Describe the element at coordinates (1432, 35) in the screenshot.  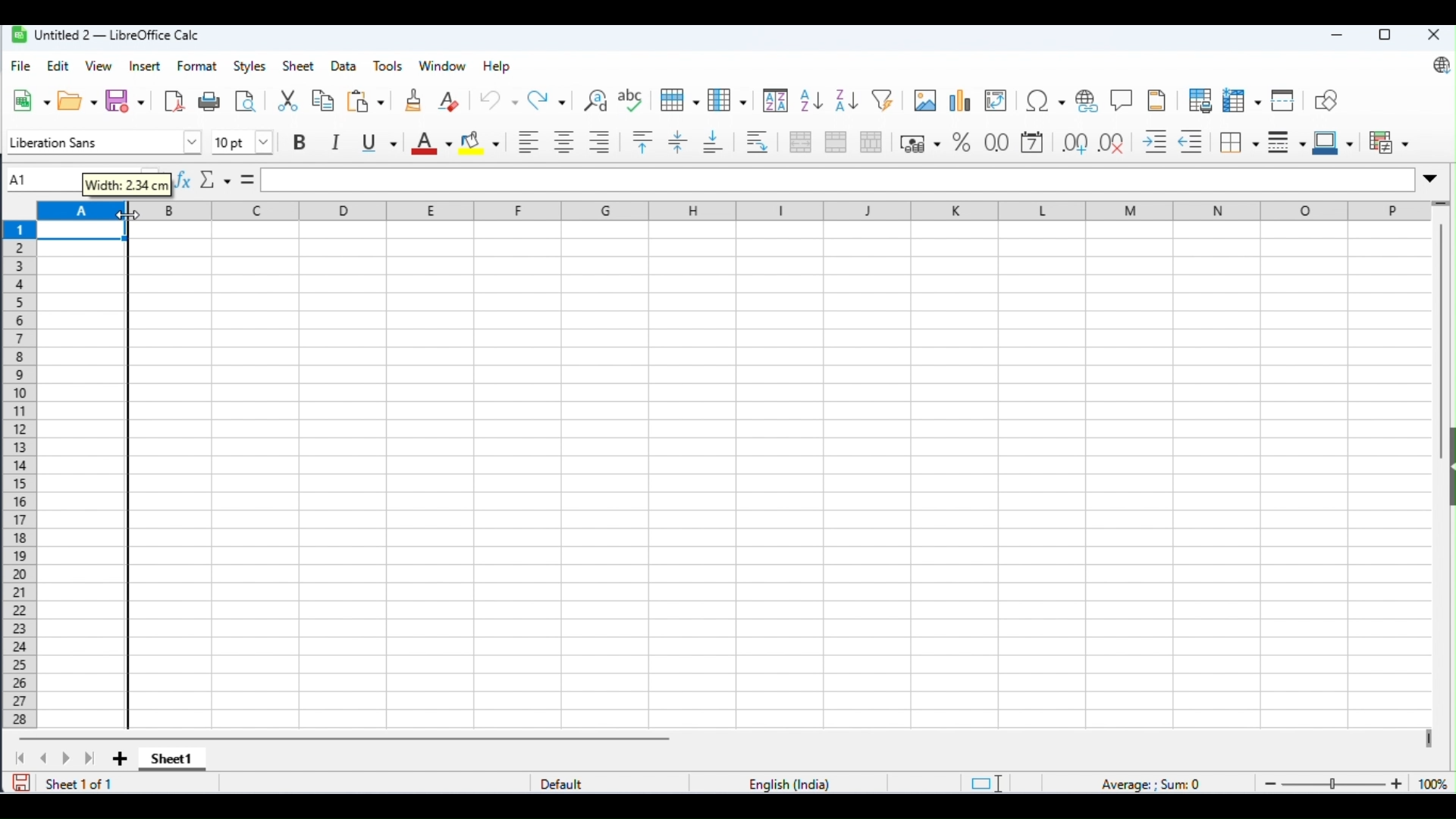
I see `close` at that location.